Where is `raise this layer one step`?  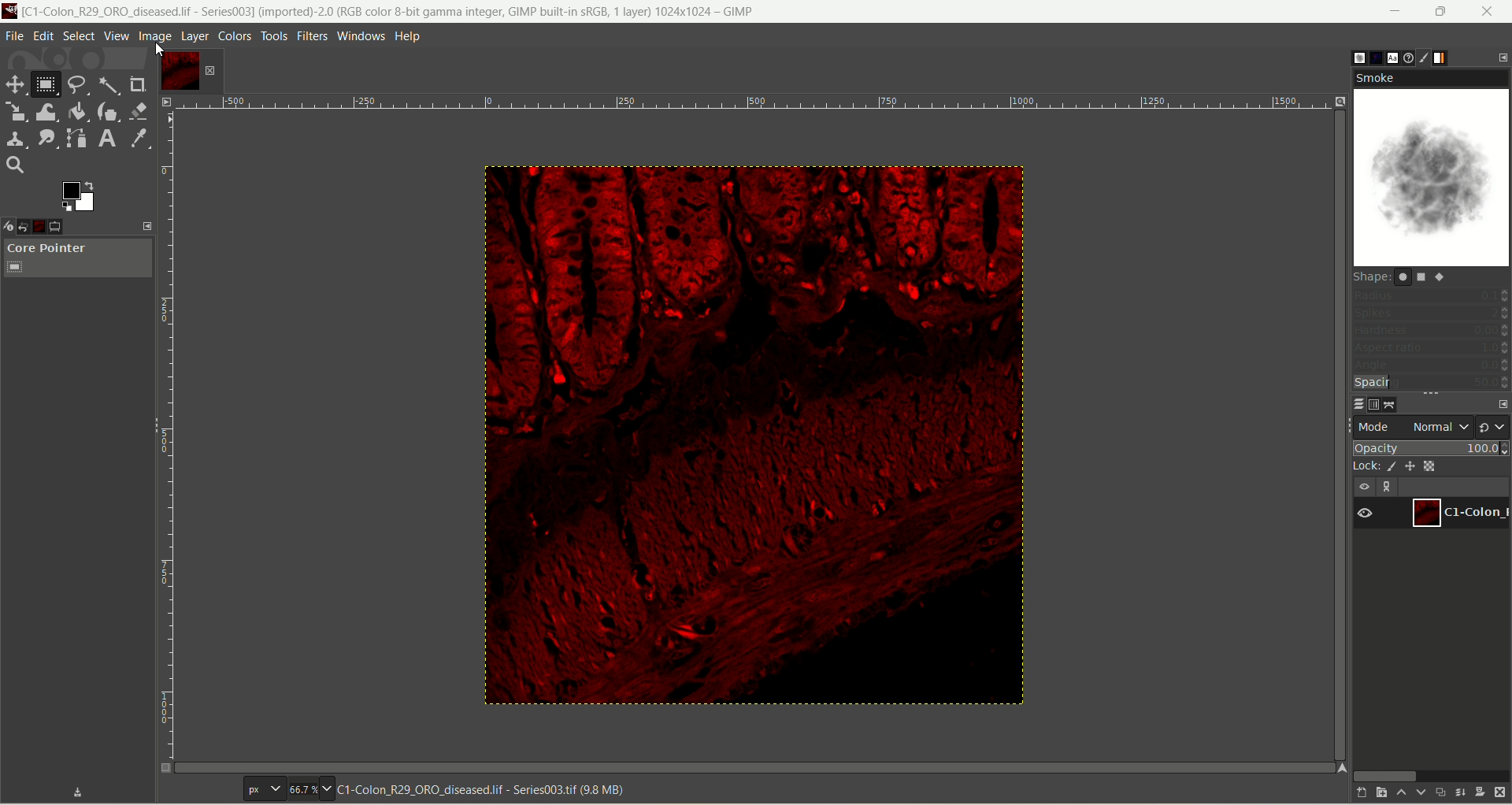
raise this layer one step is located at coordinates (1403, 793).